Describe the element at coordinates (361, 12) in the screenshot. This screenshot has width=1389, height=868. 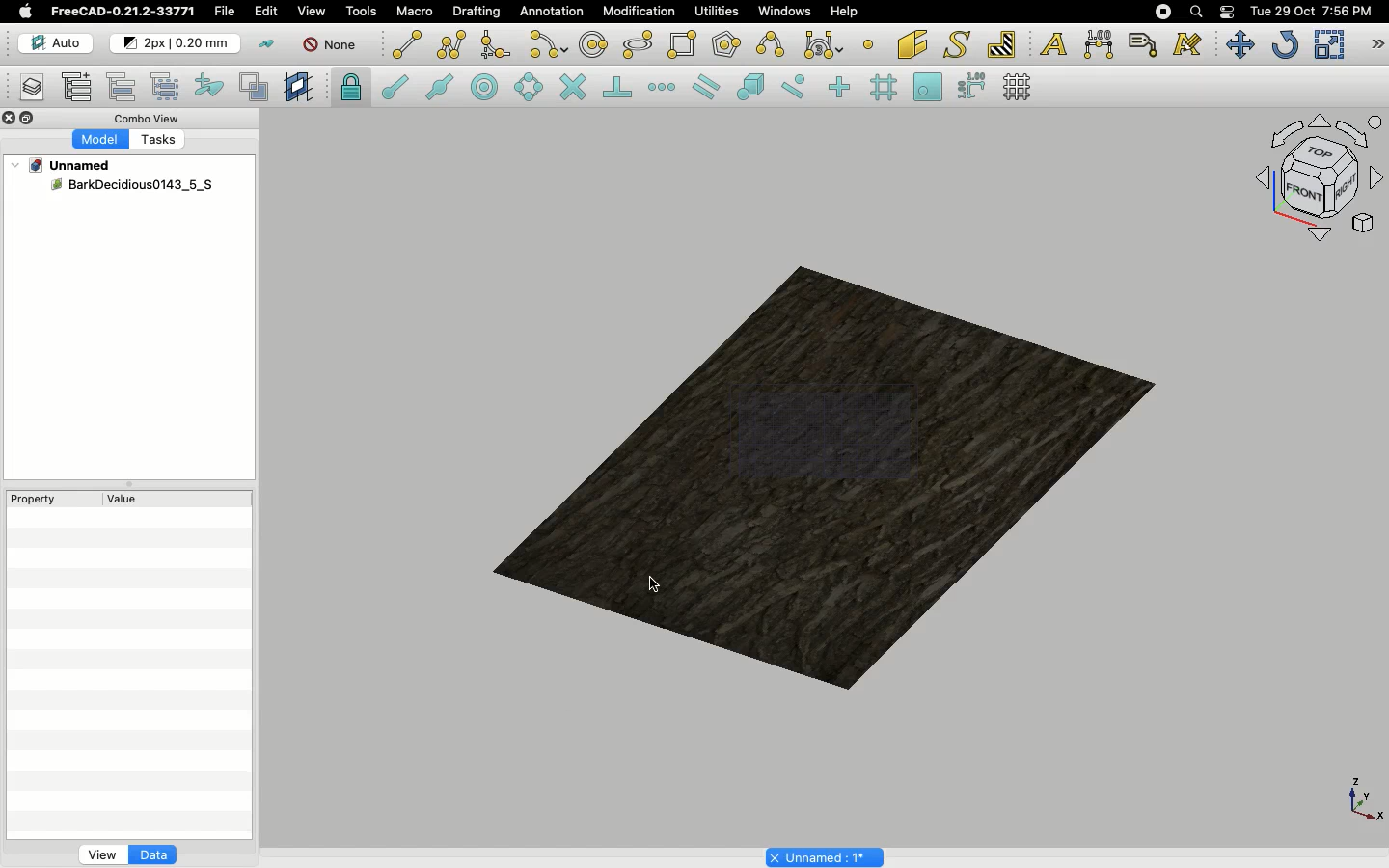
I see `Tools` at that location.